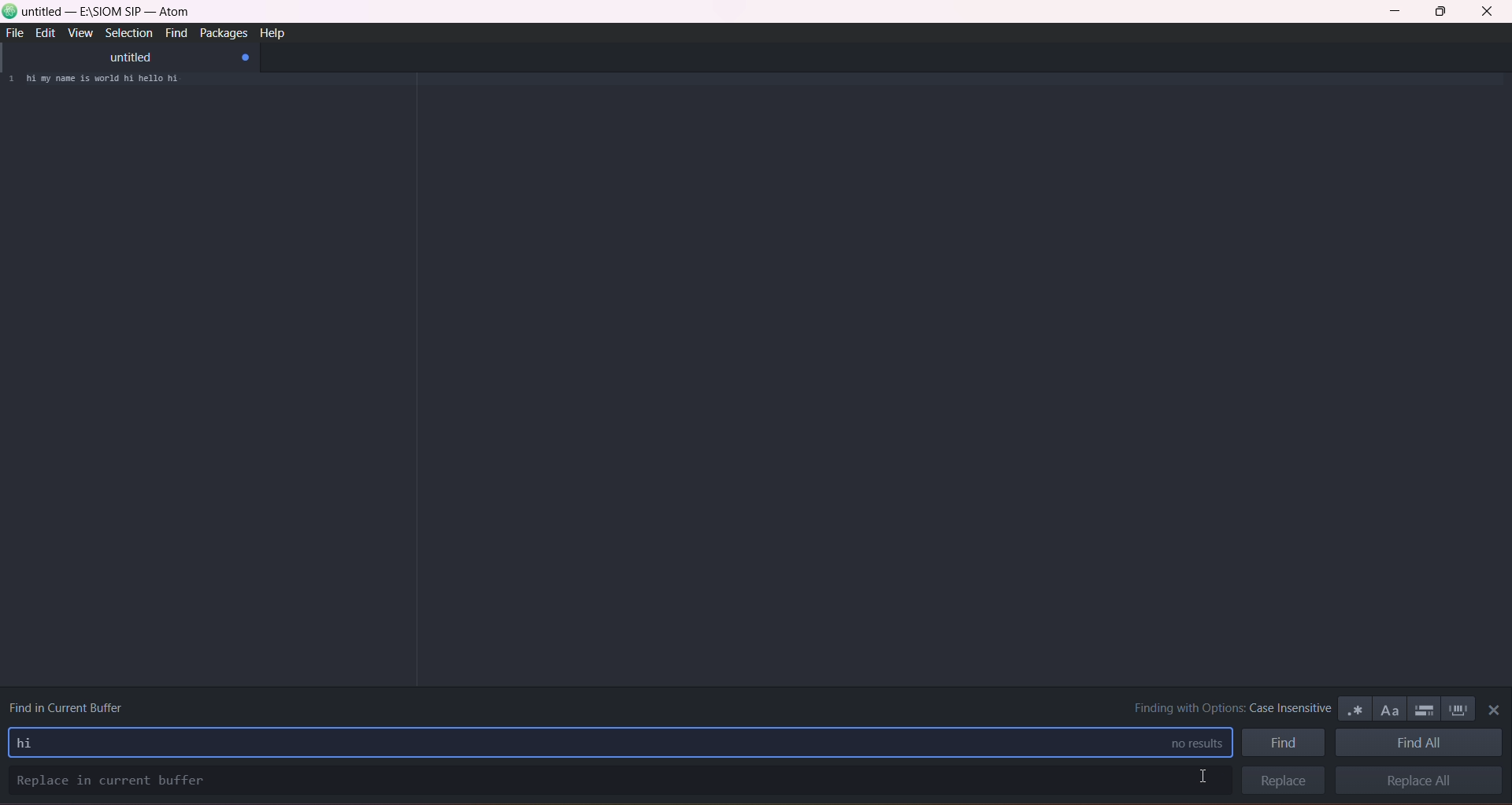 The width and height of the screenshot is (1512, 805). I want to click on find all, so click(1421, 743).